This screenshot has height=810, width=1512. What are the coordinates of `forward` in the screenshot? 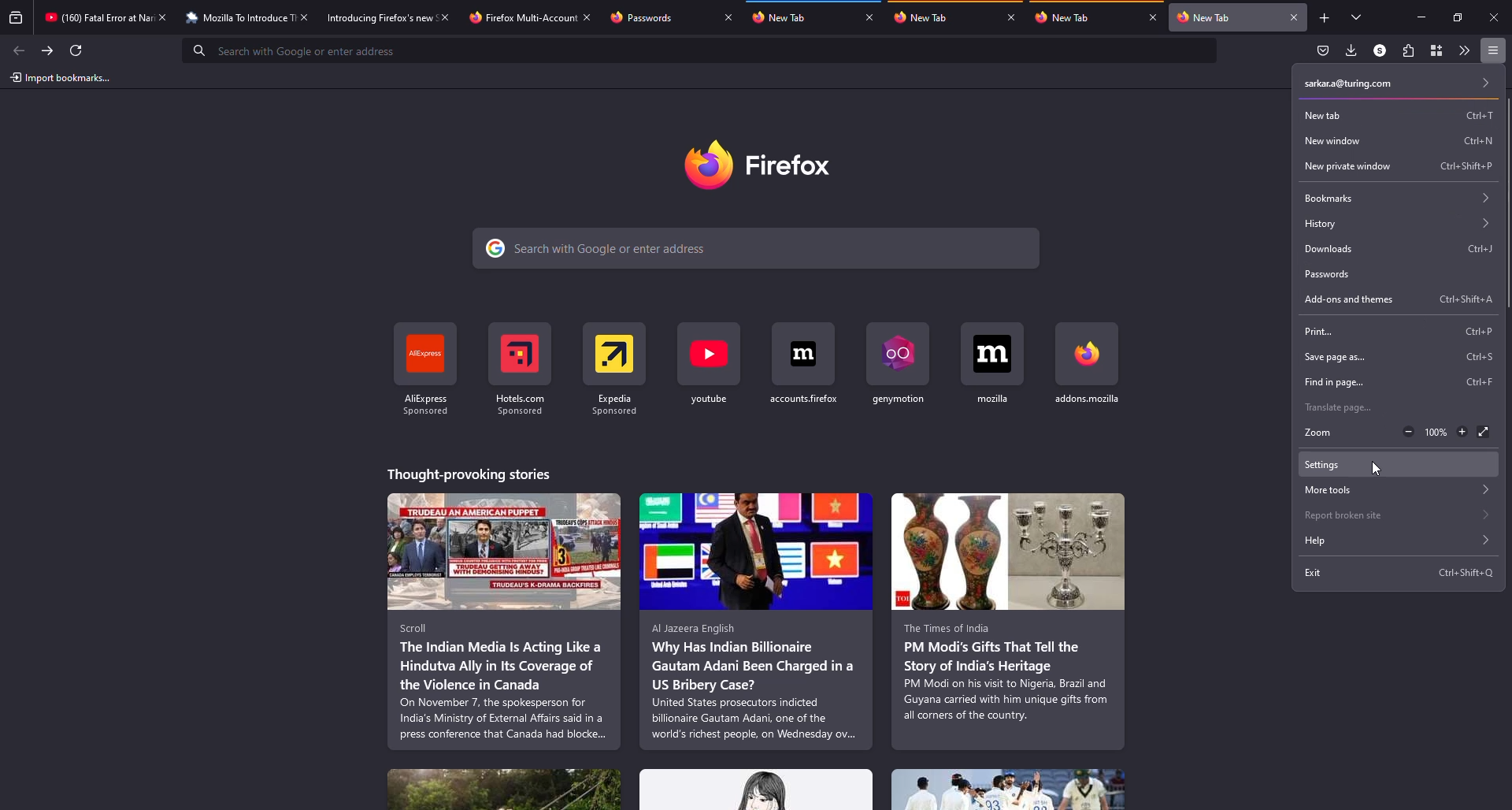 It's located at (46, 50).